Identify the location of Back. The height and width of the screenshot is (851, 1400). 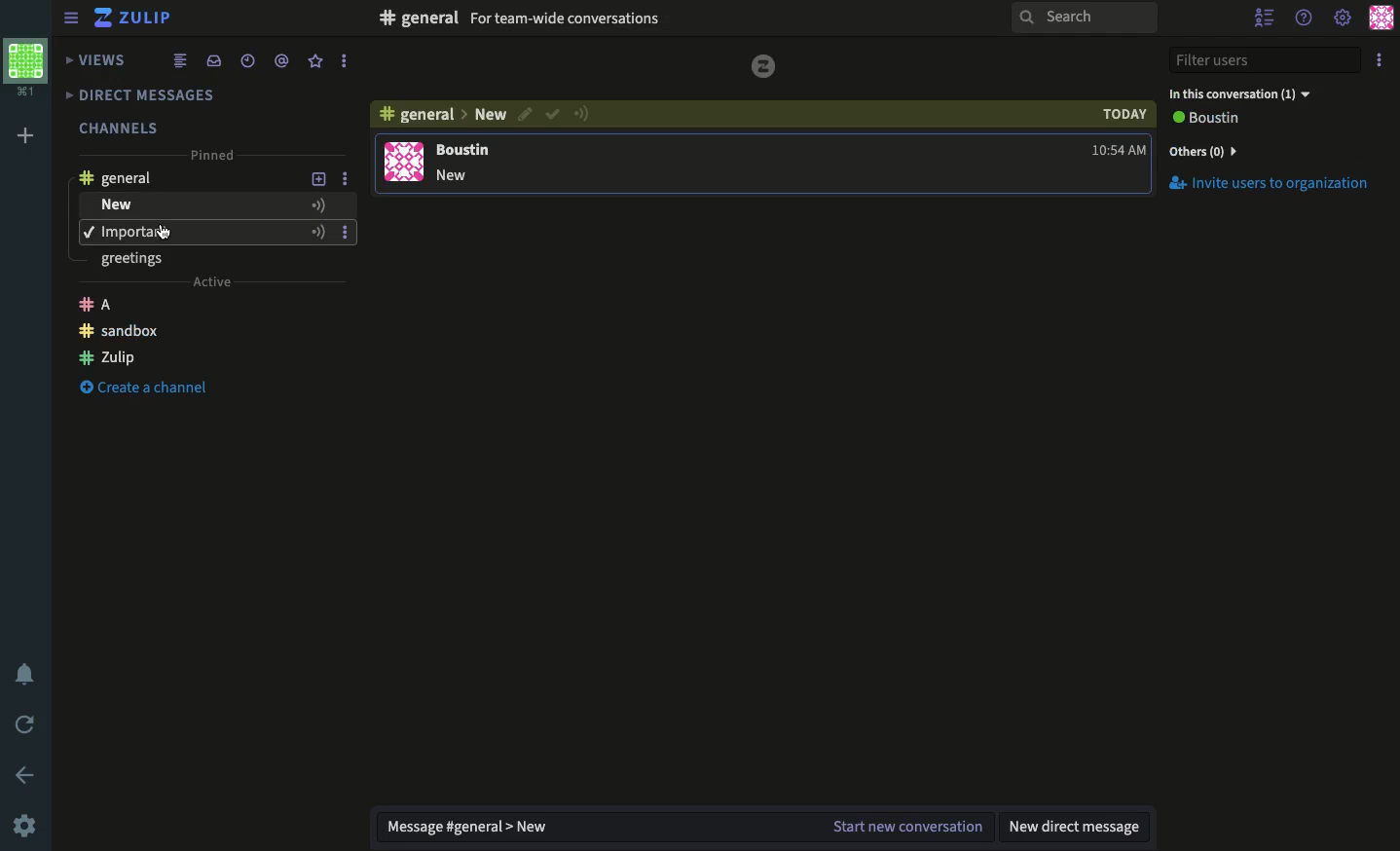
(24, 773).